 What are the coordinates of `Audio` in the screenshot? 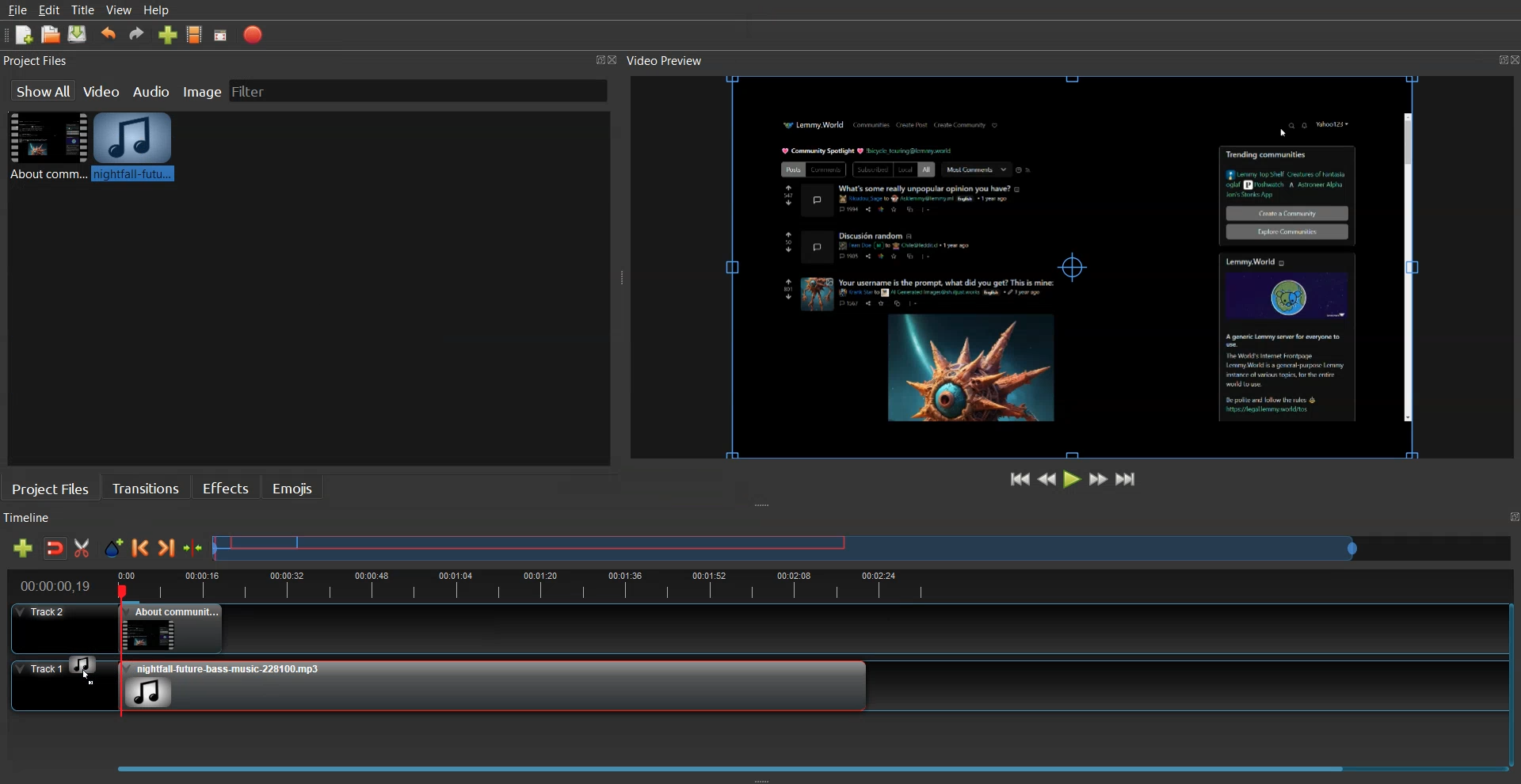 It's located at (153, 90).